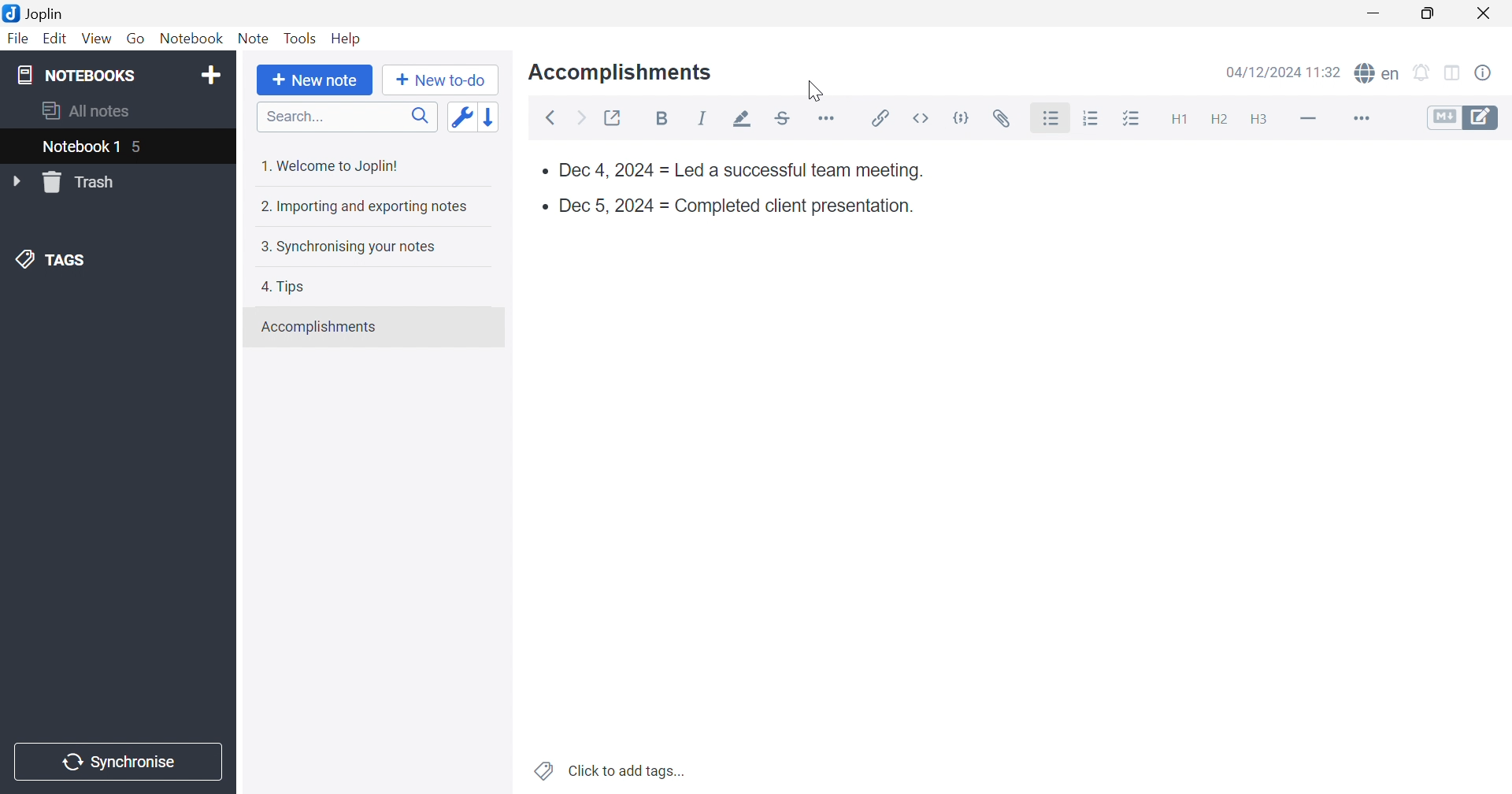 Image resolution: width=1512 pixels, height=794 pixels. I want to click on Synchronise, so click(115, 762).